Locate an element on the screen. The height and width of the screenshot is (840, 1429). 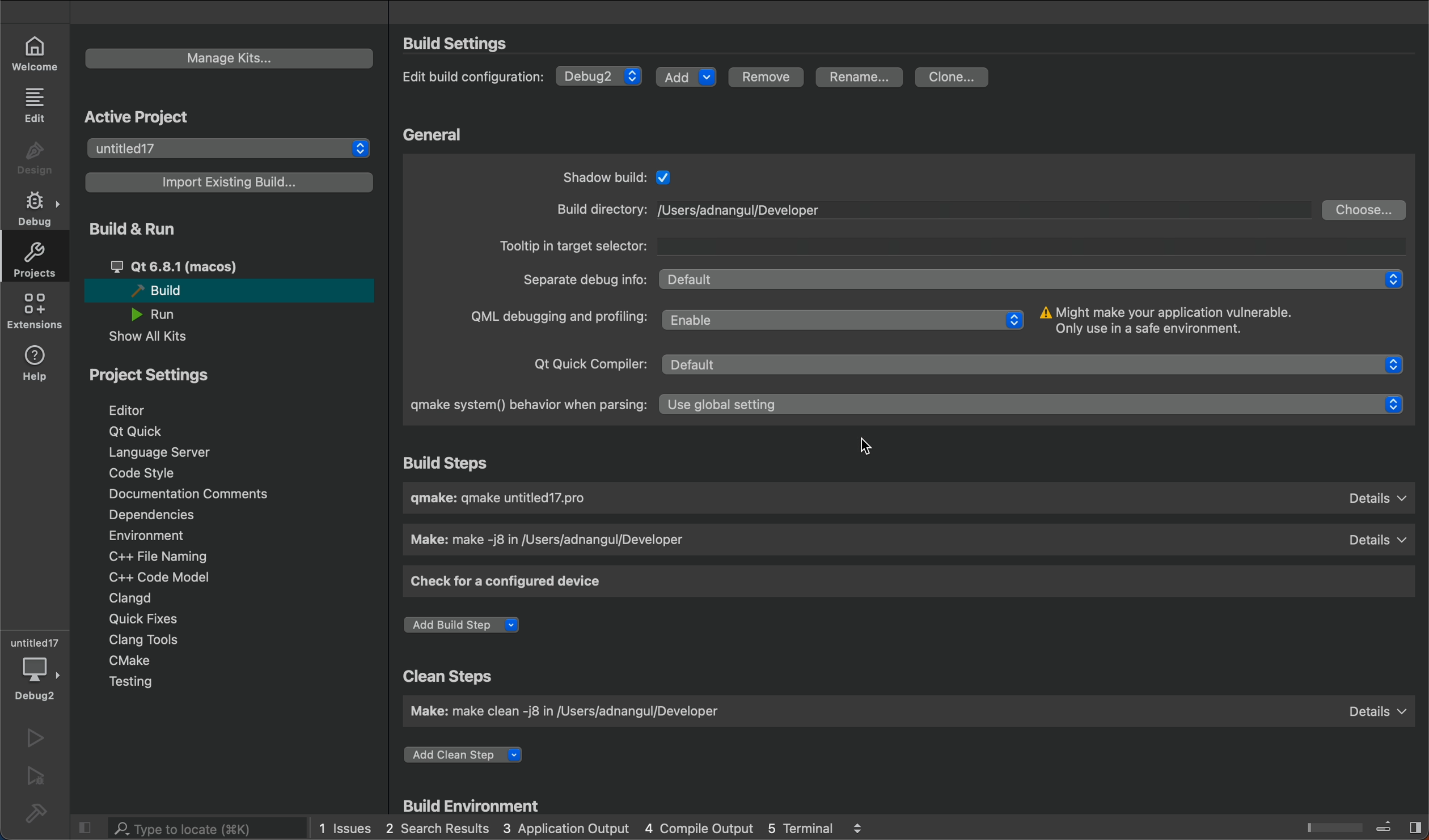
make is located at coordinates (650, 541).